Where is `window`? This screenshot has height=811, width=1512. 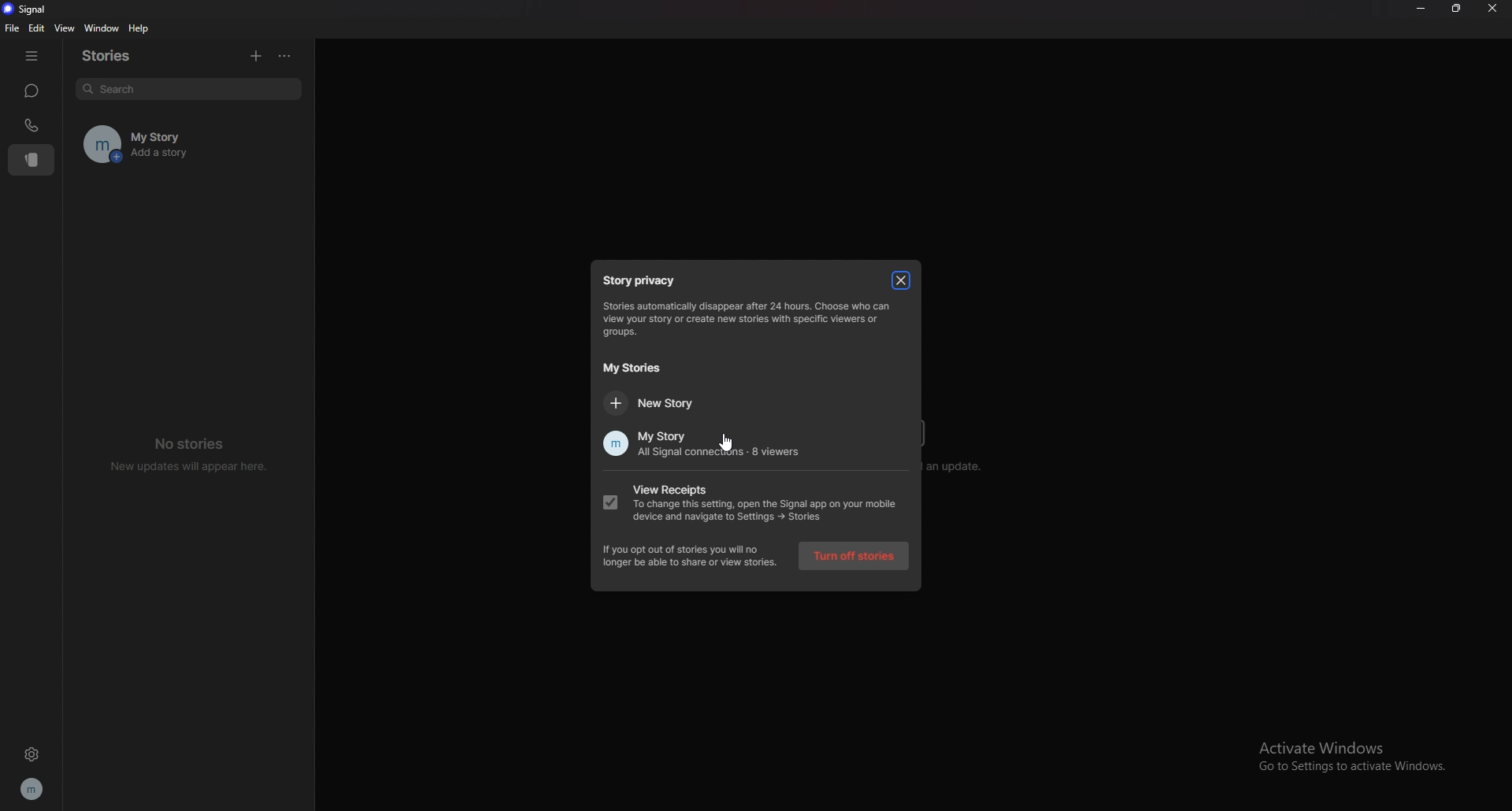 window is located at coordinates (102, 28).